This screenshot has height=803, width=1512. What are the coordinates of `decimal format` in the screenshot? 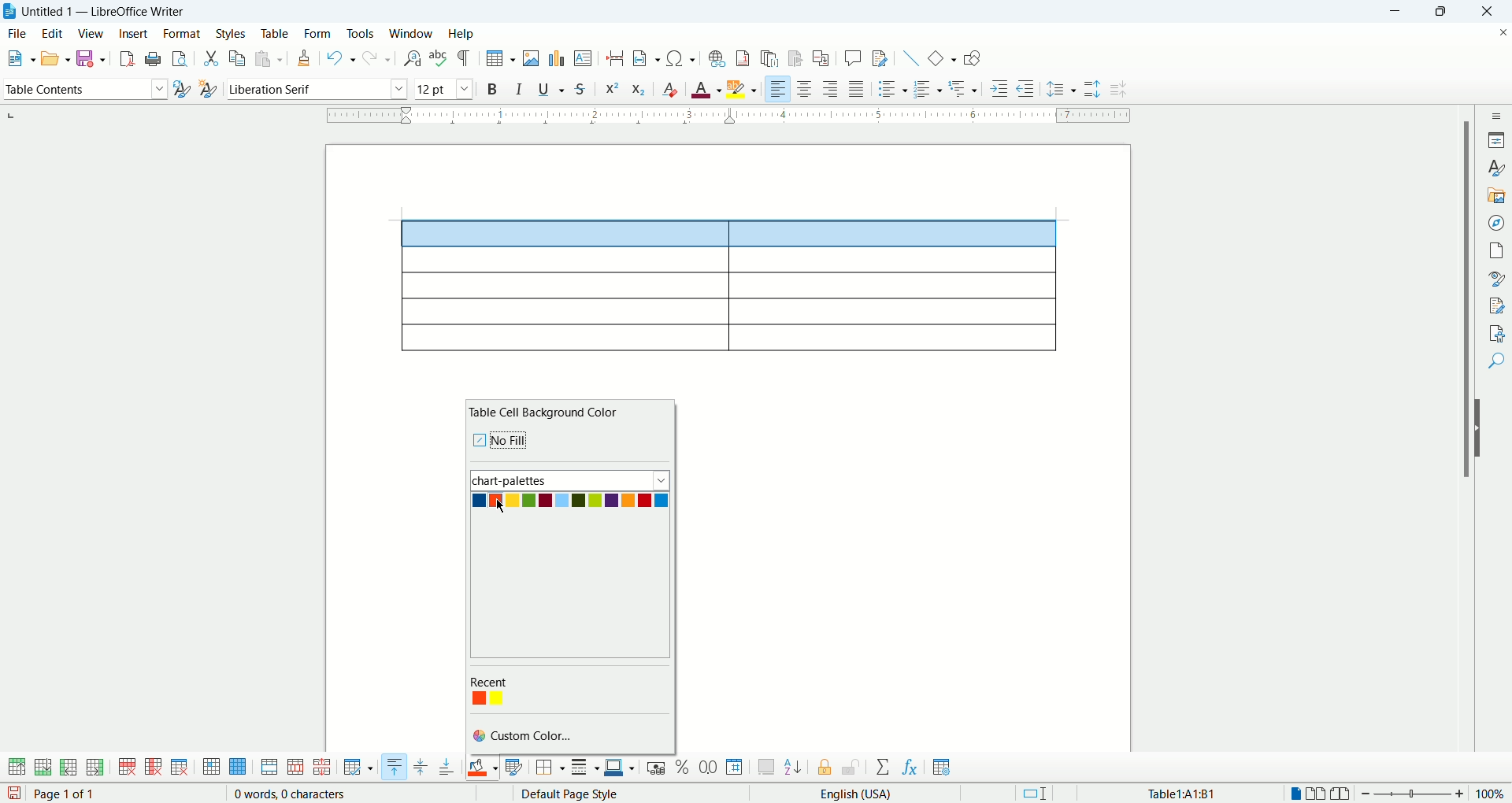 It's located at (709, 768).